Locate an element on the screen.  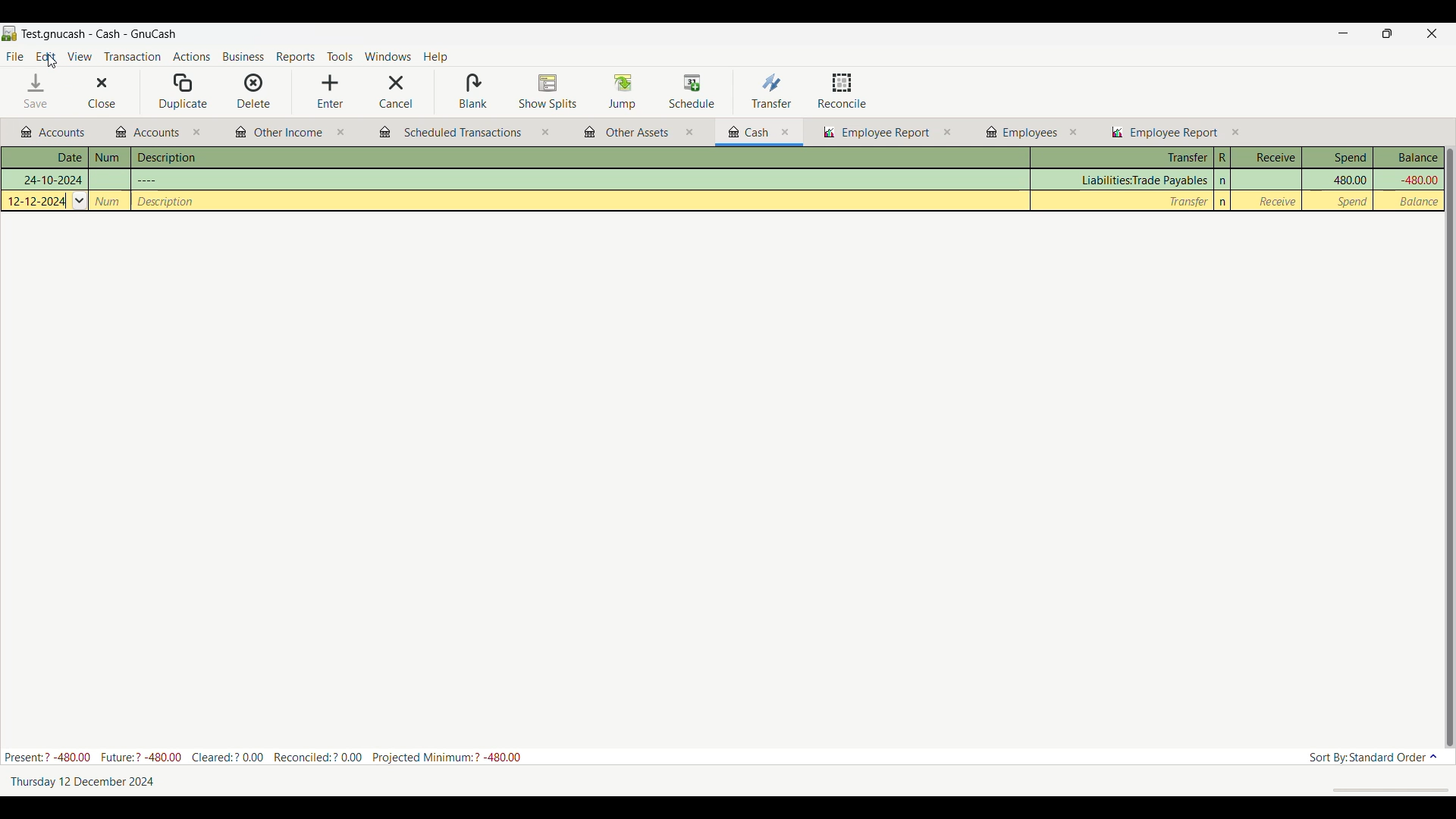
Tools menu is located at coordinates (340, 56).